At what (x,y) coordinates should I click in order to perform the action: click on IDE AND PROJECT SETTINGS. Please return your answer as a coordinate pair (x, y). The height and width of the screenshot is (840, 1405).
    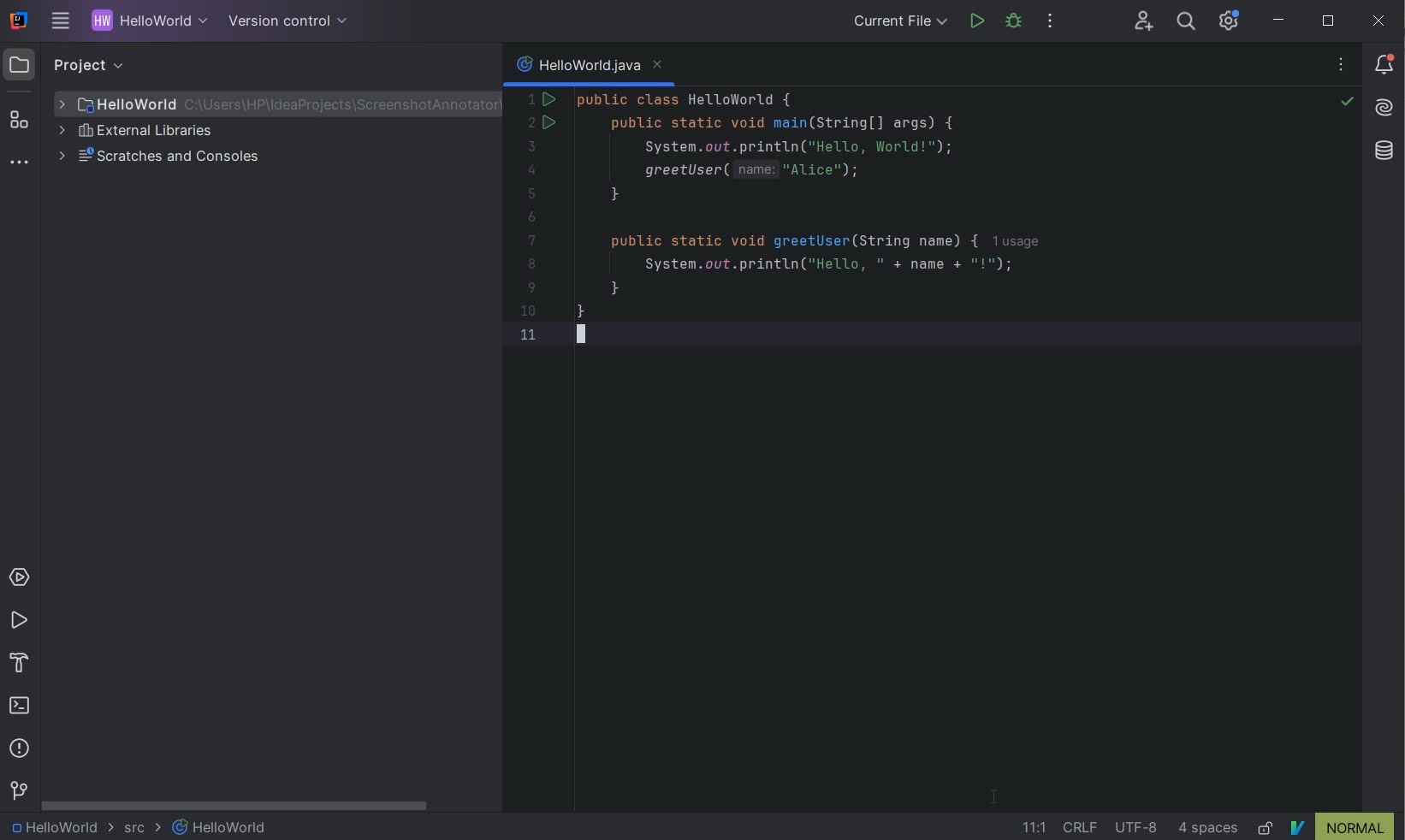
    Looking at the image, I should click on (1227, 21).